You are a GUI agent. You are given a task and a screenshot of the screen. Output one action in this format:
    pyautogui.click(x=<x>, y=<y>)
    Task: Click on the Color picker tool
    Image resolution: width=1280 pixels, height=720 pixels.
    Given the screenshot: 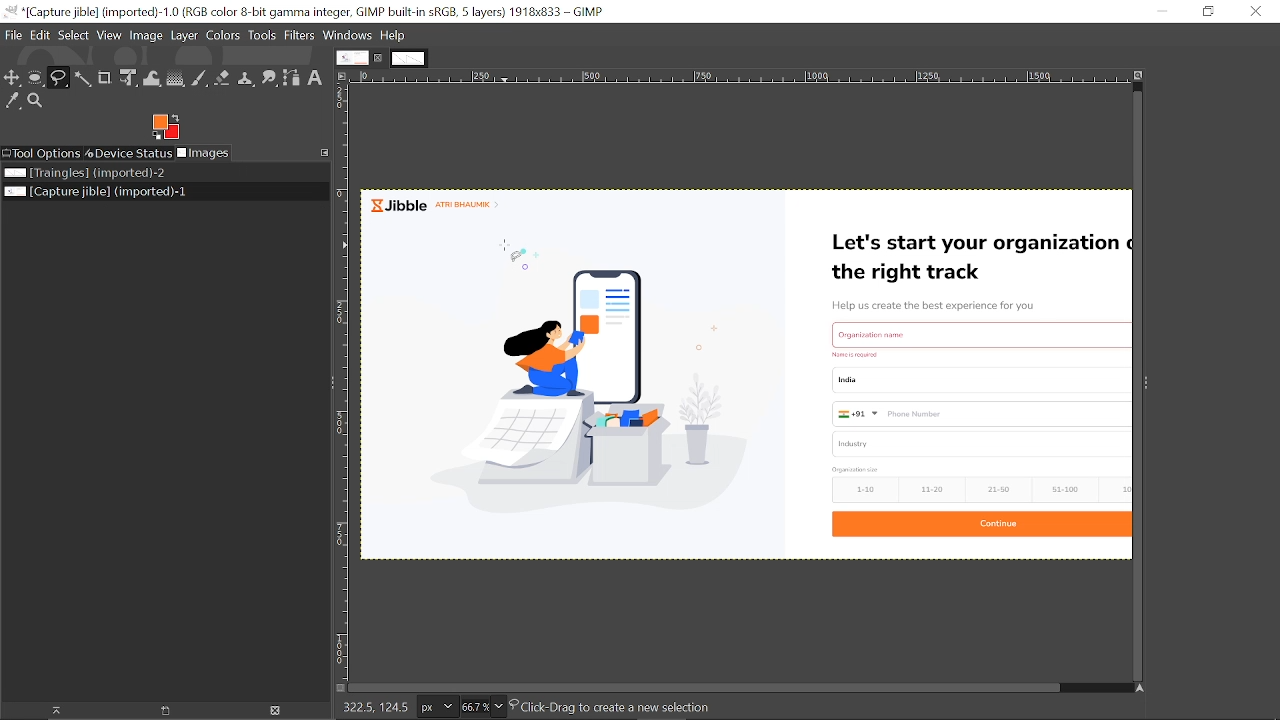 What is the action you would take?
    pyautogui.click(x=12, y=101)
    